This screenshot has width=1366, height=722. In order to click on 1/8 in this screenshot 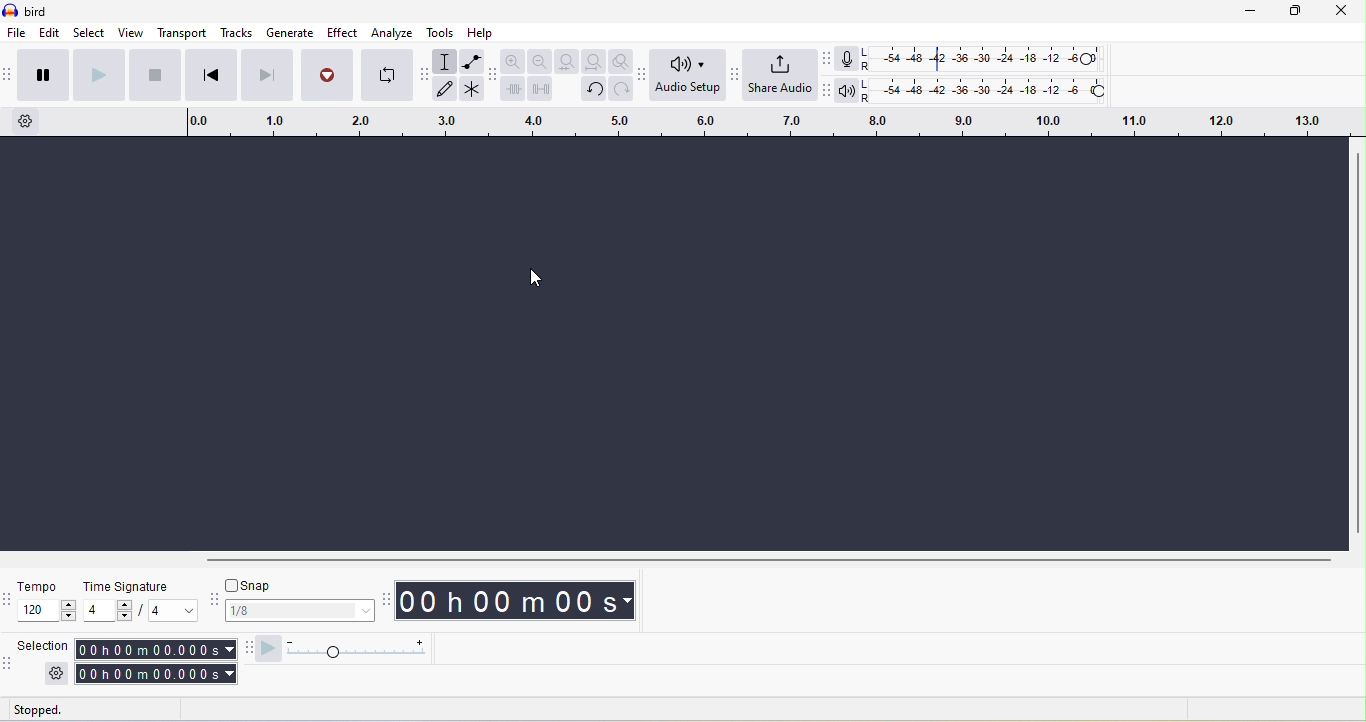, I will do `click(297, 612)`.